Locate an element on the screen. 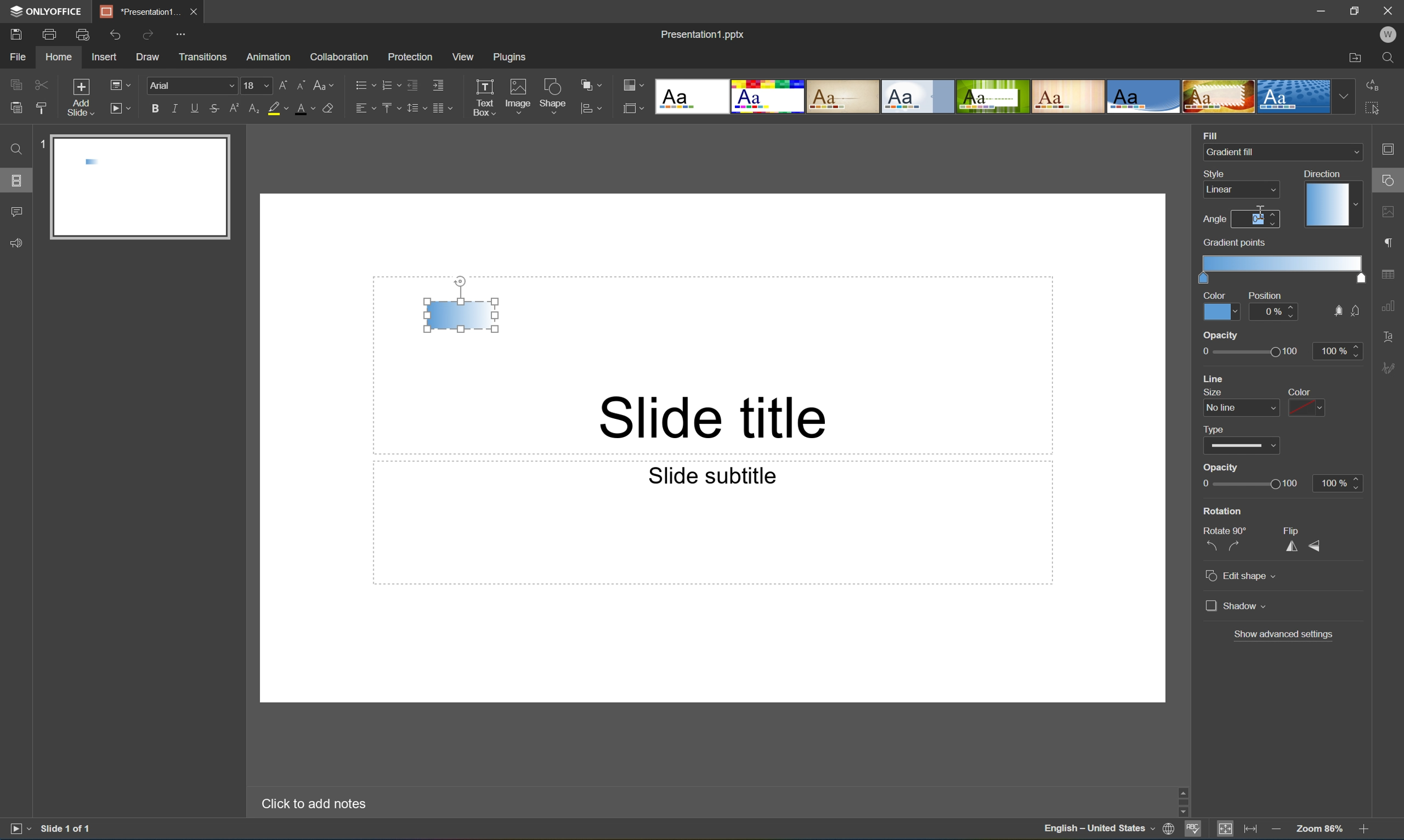  Slide 1 of 1 is located at coordinates (67, 828).